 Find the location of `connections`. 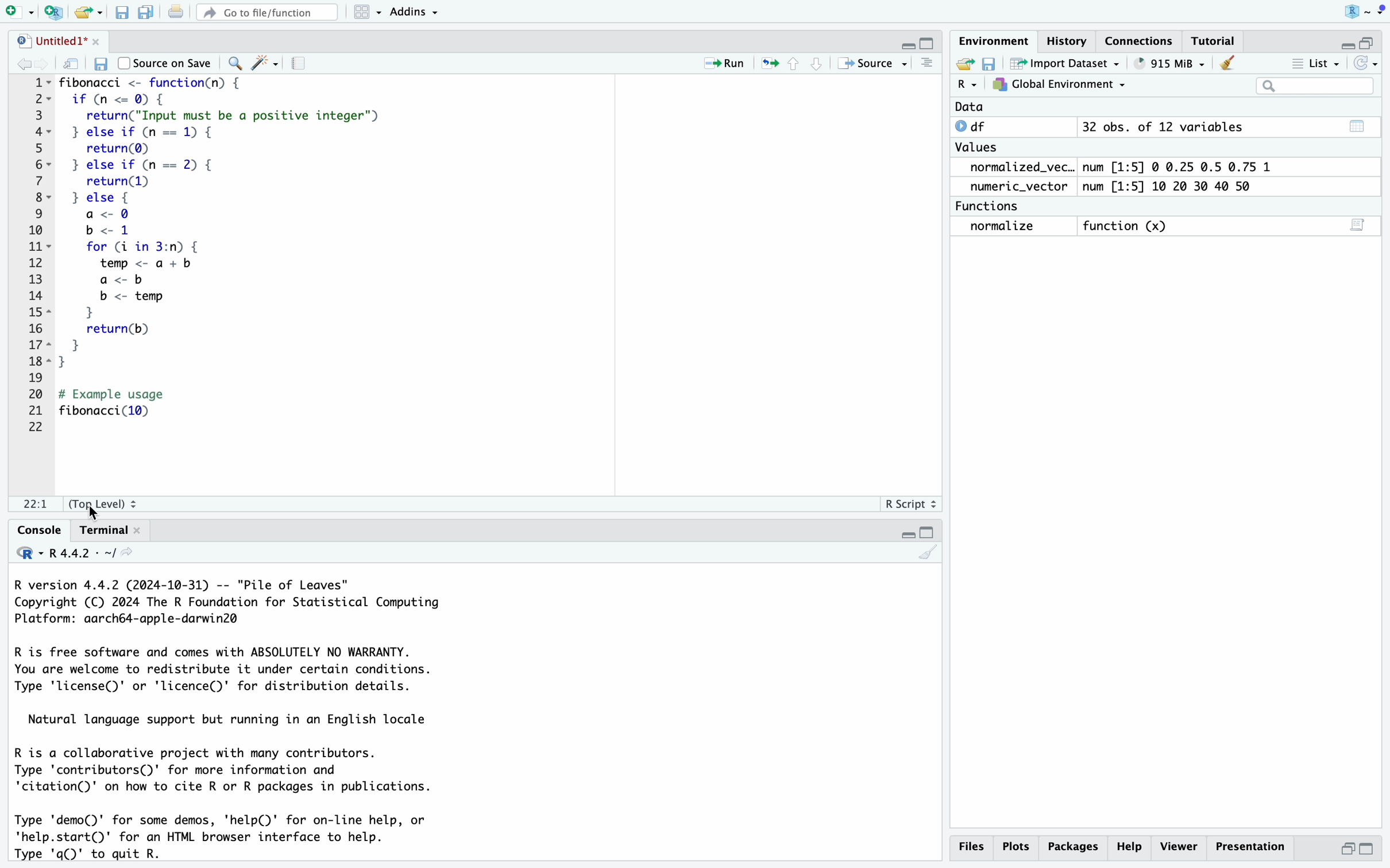

connections is located at coordinates (1140, 37).